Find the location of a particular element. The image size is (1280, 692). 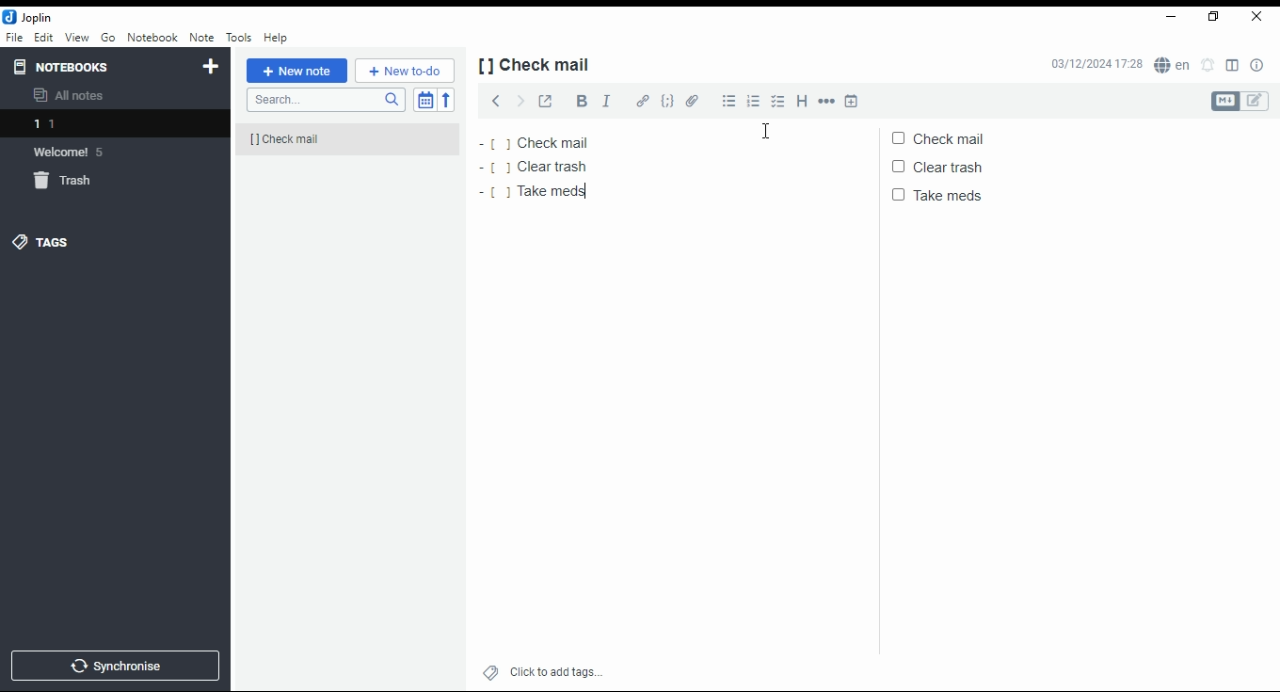

sort order reverse is located at coordinates (446, 99).